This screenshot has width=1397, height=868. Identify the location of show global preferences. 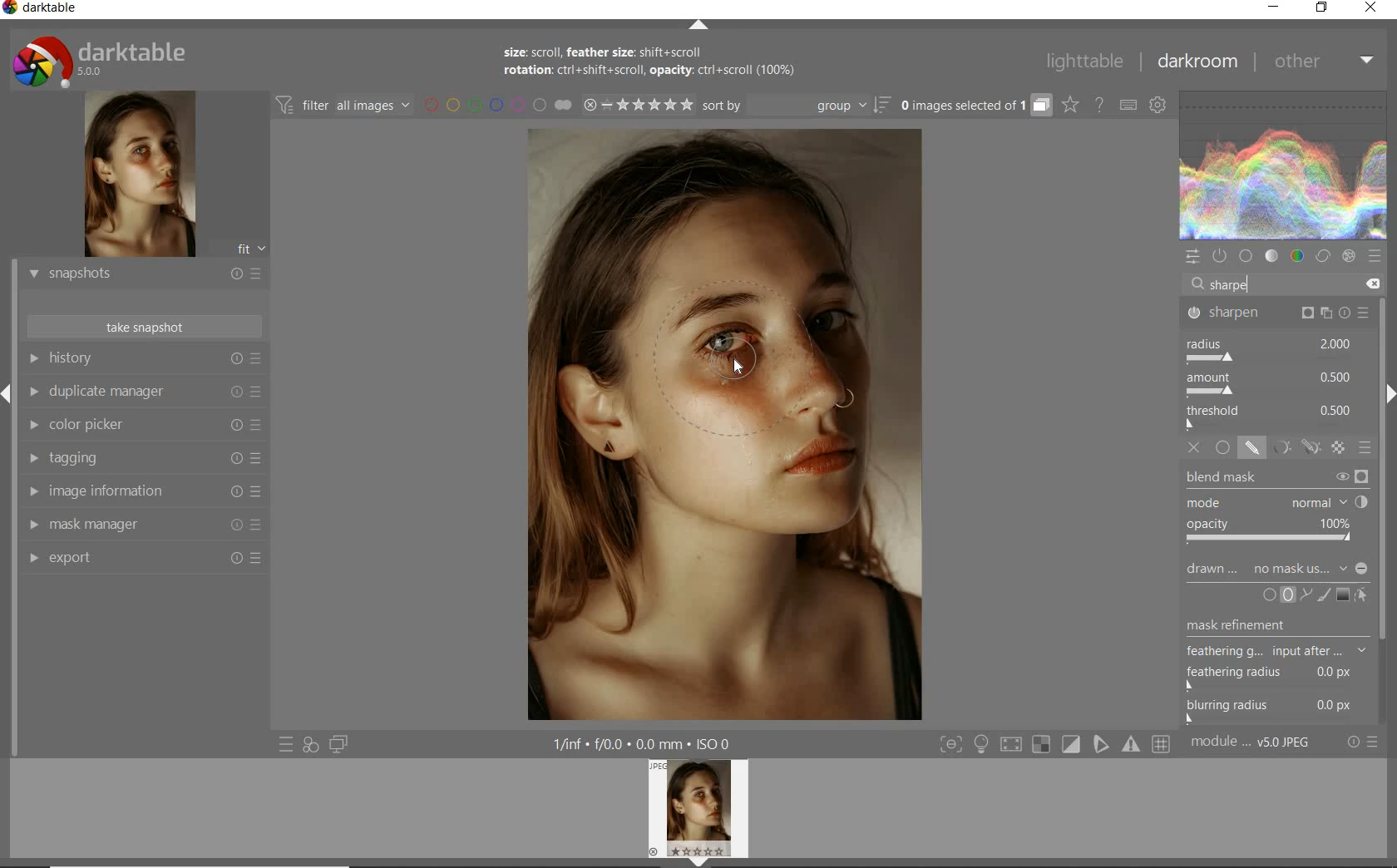
(1159, 106).